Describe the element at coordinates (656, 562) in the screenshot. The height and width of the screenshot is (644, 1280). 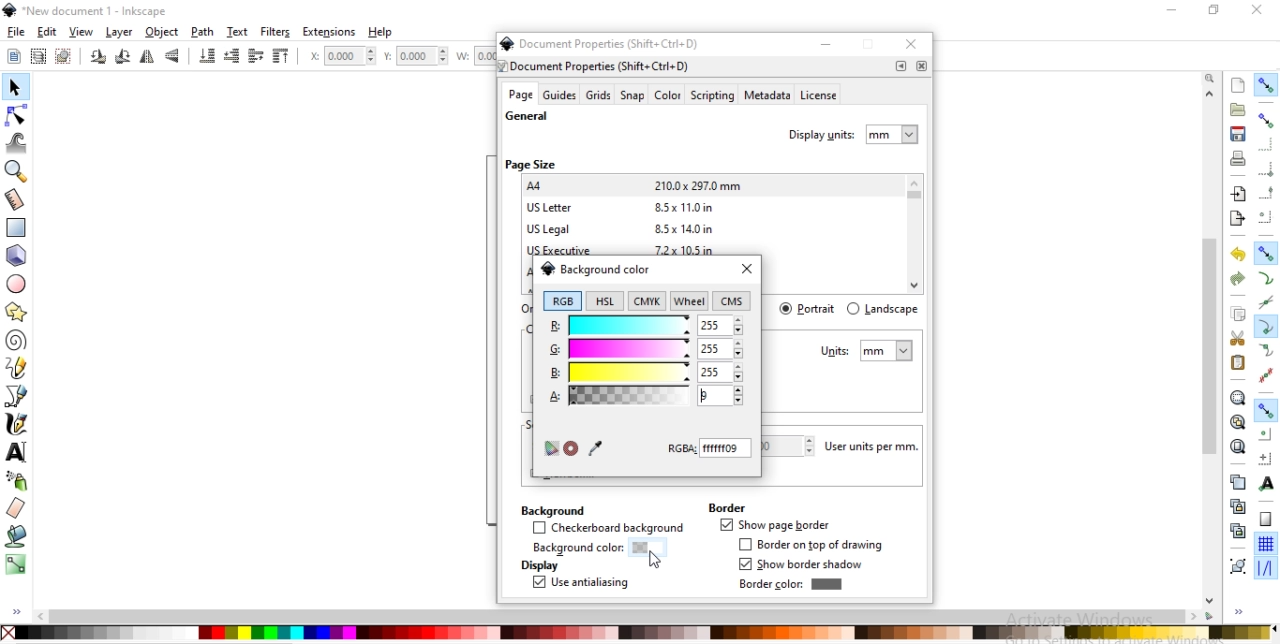
I see `cursor` at that location.